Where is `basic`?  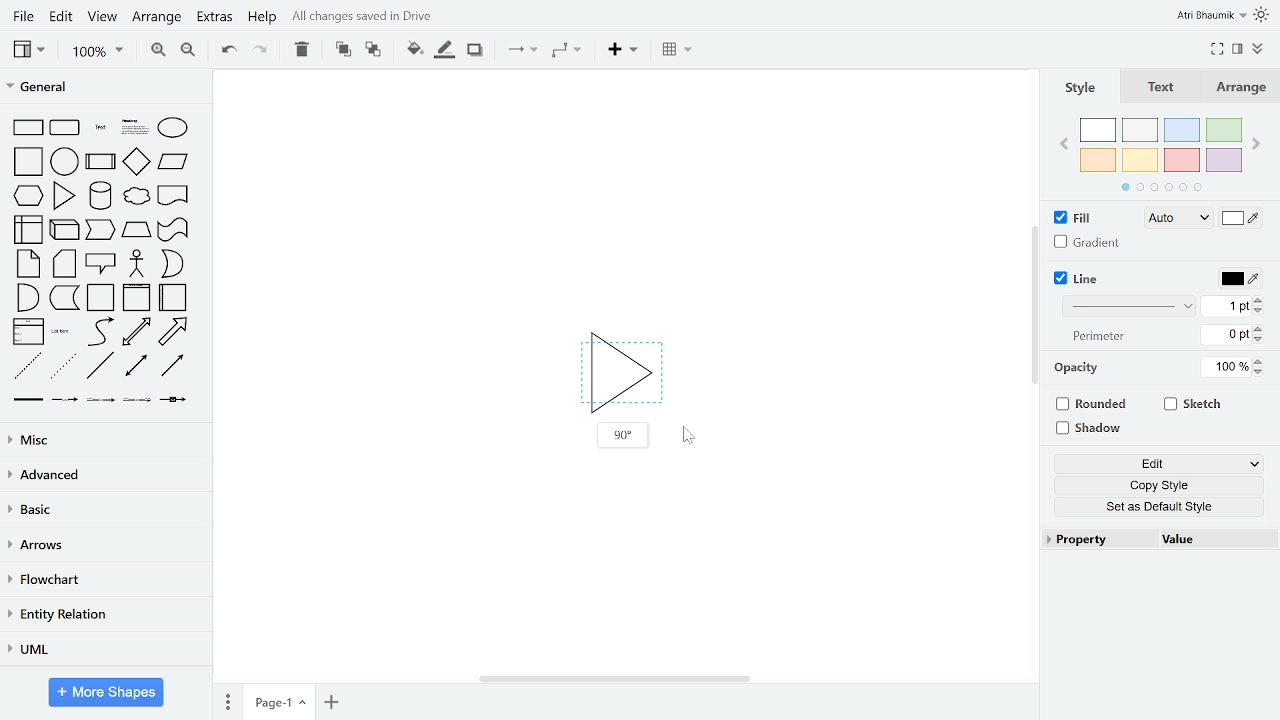 basic is located at coordinates (103, 511).